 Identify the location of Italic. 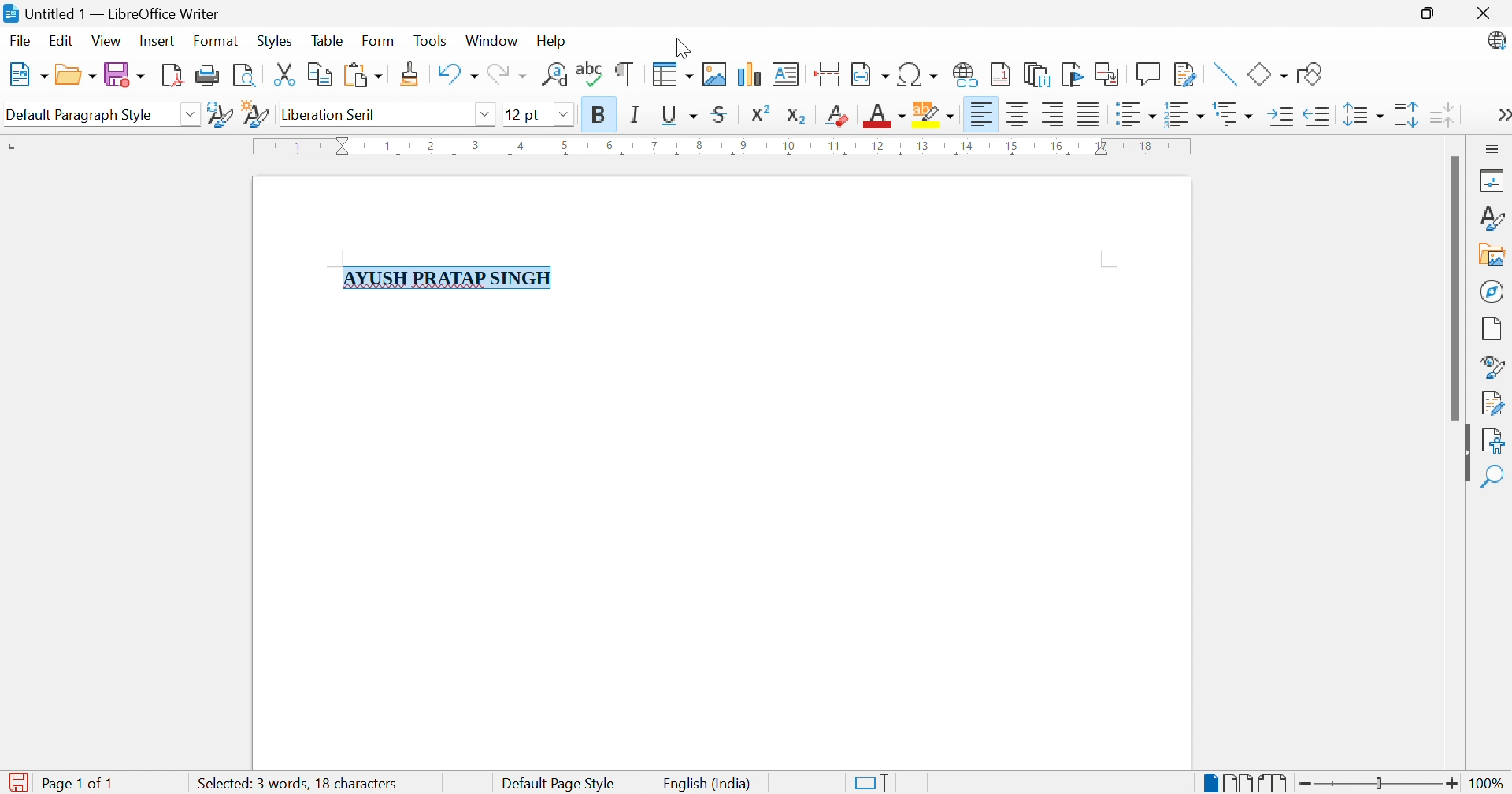
(636, 117).